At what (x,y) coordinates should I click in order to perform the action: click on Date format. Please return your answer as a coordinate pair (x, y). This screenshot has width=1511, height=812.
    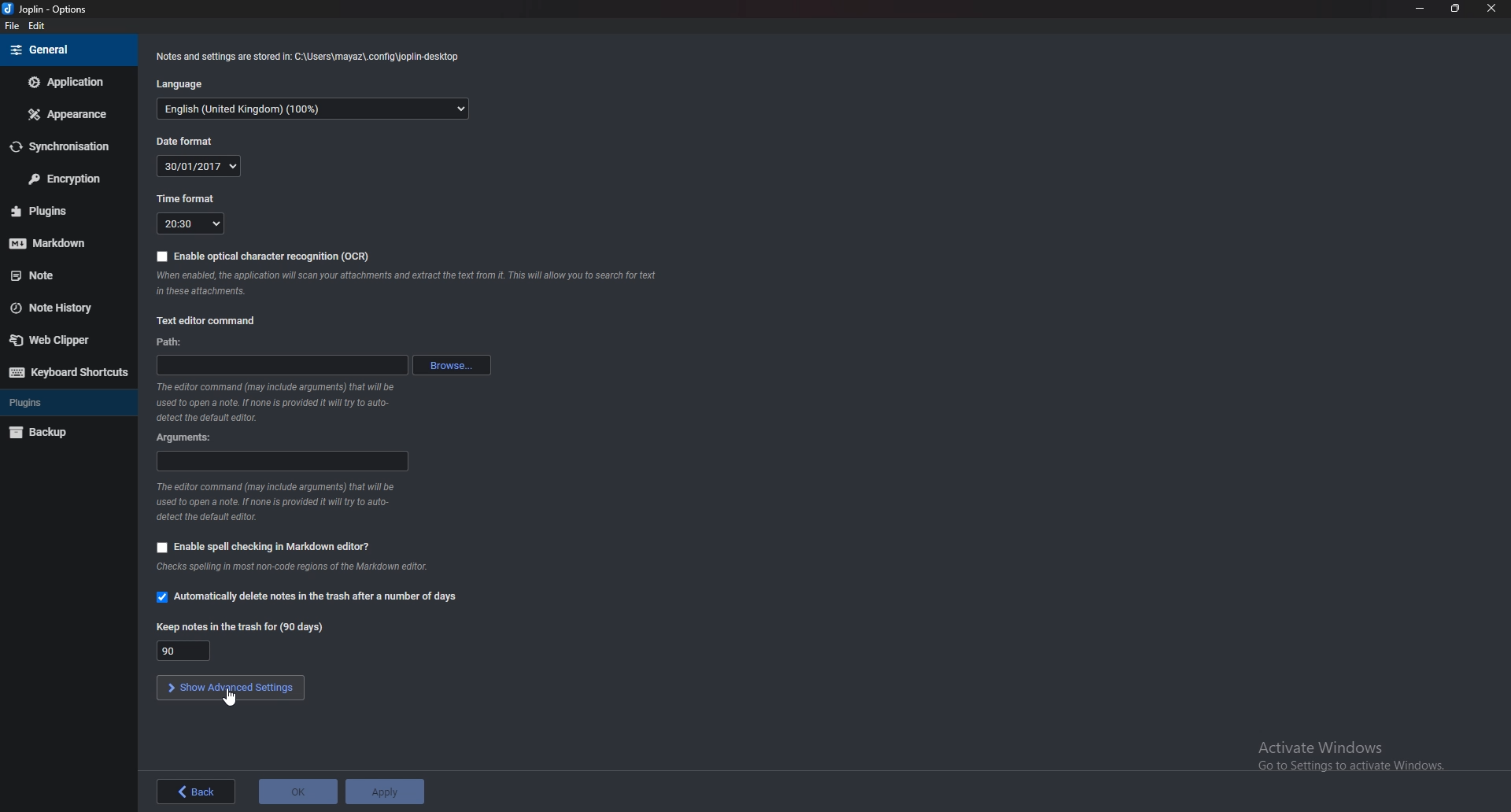
    Looking at the image, I should click on (187, 142).